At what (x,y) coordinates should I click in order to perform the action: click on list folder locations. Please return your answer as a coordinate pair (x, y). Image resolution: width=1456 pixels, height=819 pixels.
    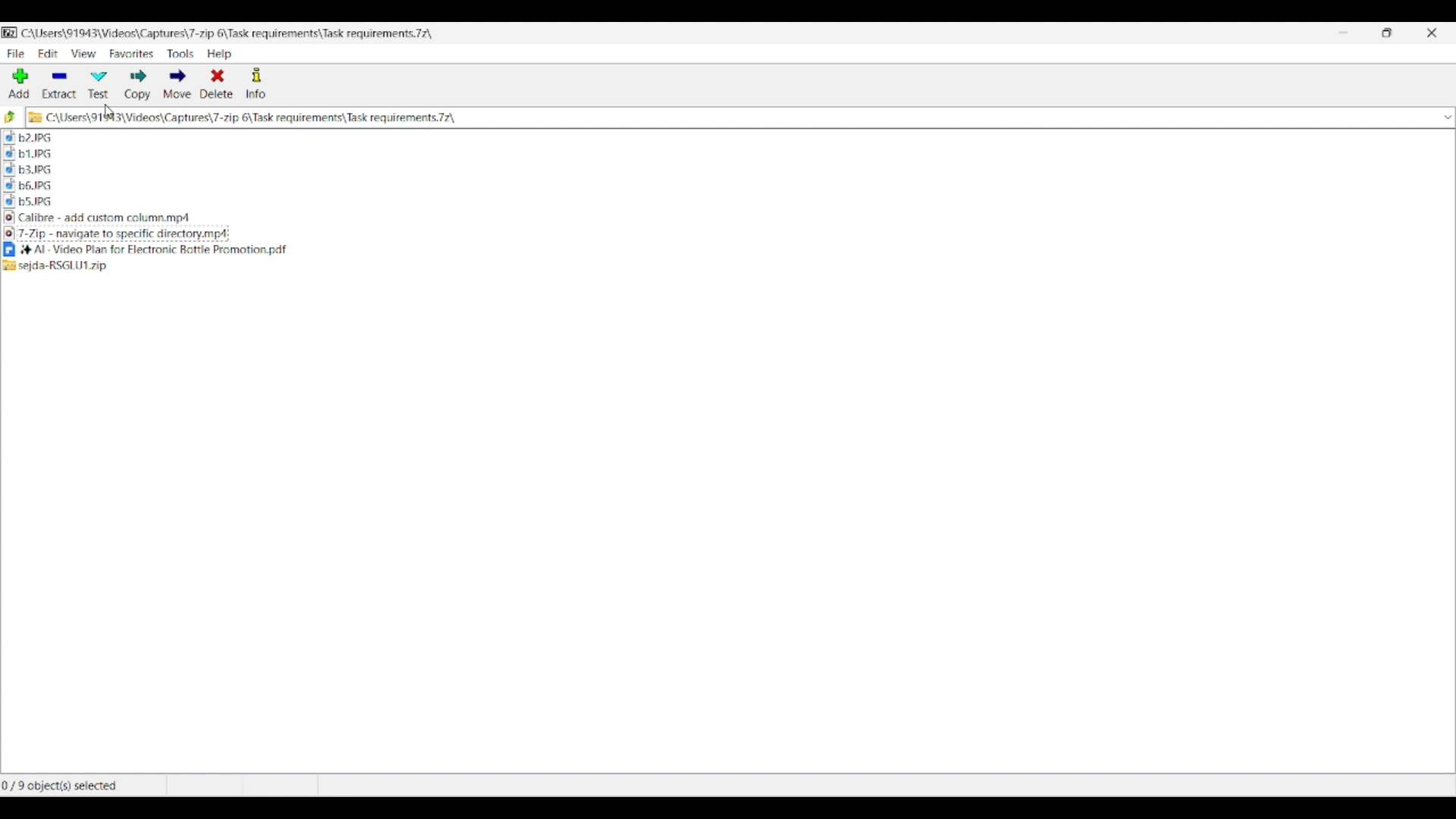
    Looking at the image, I should click on (1445, 118).